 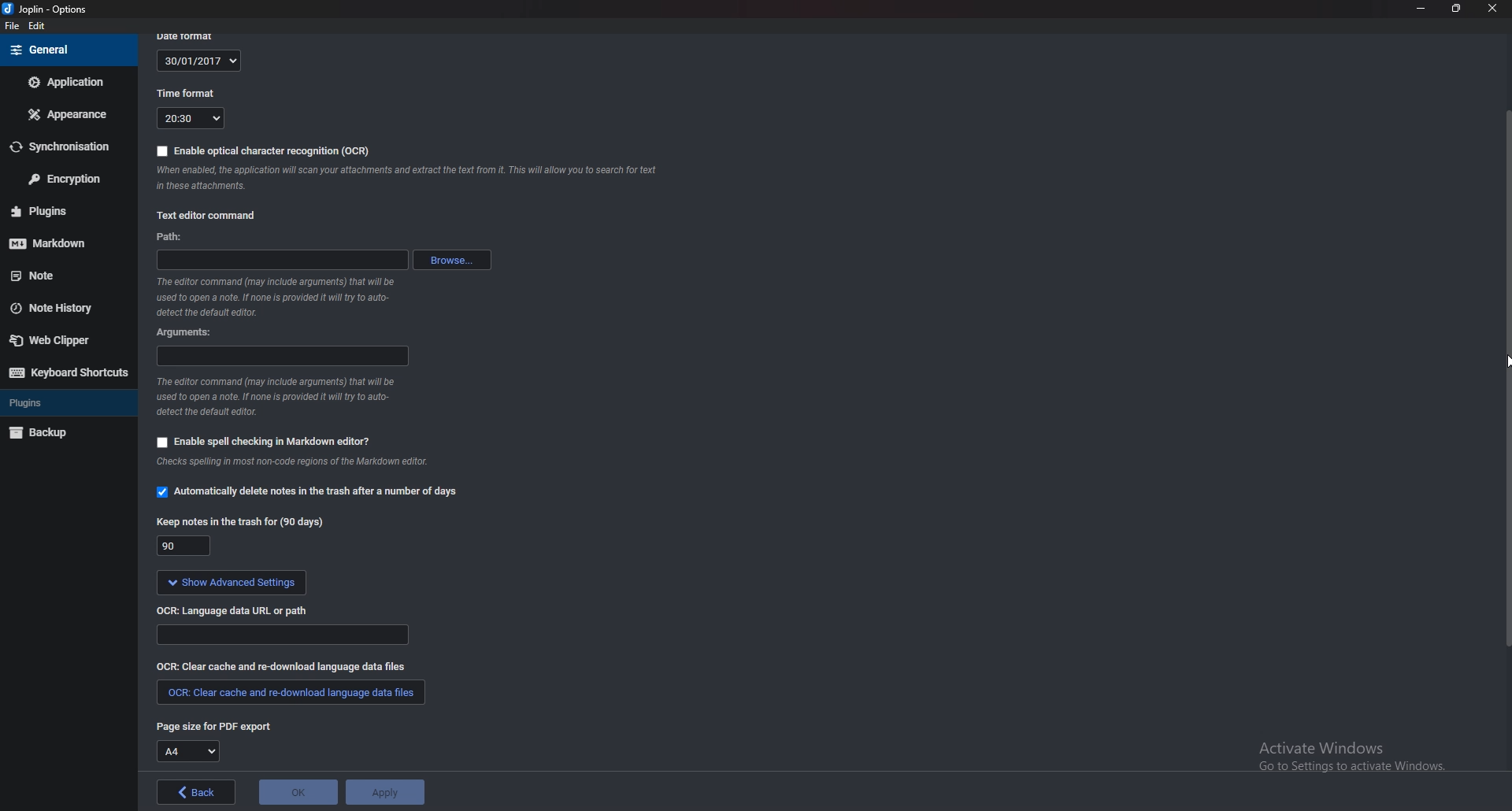 What do you see at coordinates (51, 9) in the screenshot?
I see `joplin` at bounding box center [51, 9].